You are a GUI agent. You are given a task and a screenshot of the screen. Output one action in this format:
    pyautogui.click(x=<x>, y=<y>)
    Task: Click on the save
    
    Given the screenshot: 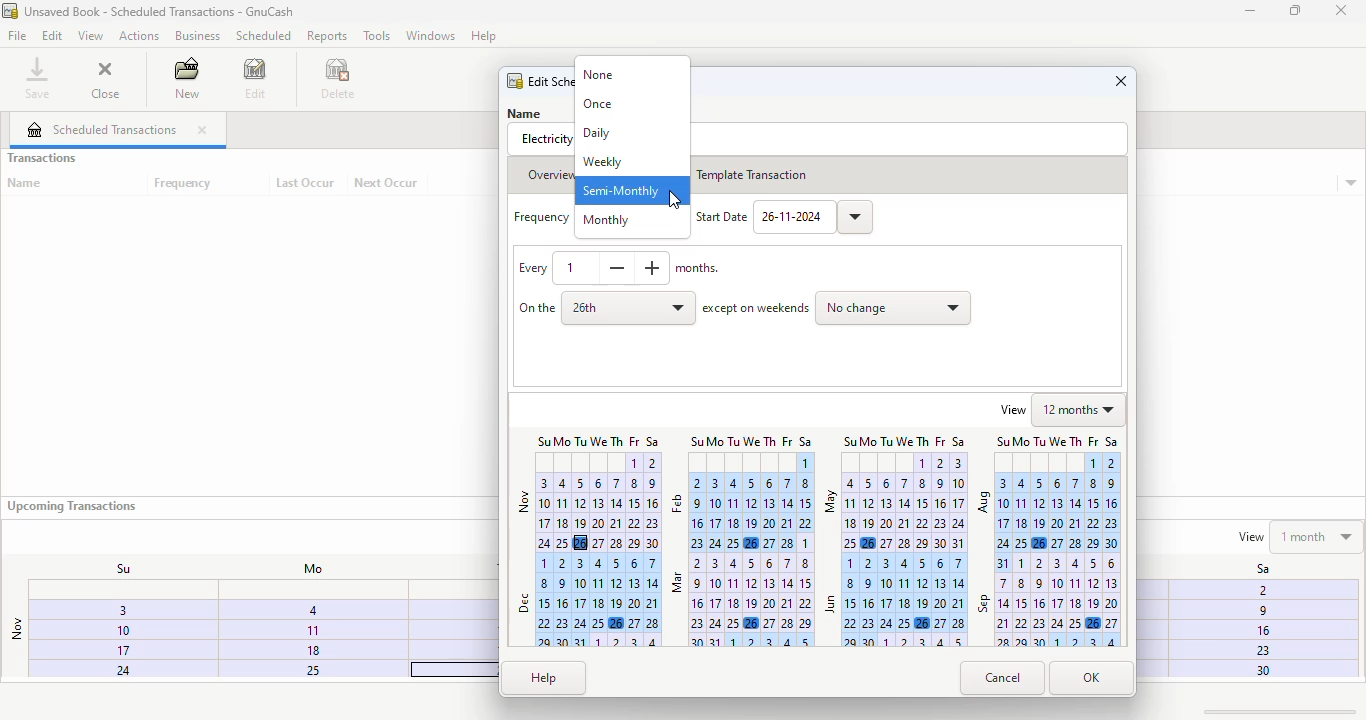 What is the action you would take?
    pyautogui.click(x=38, y=77)
    